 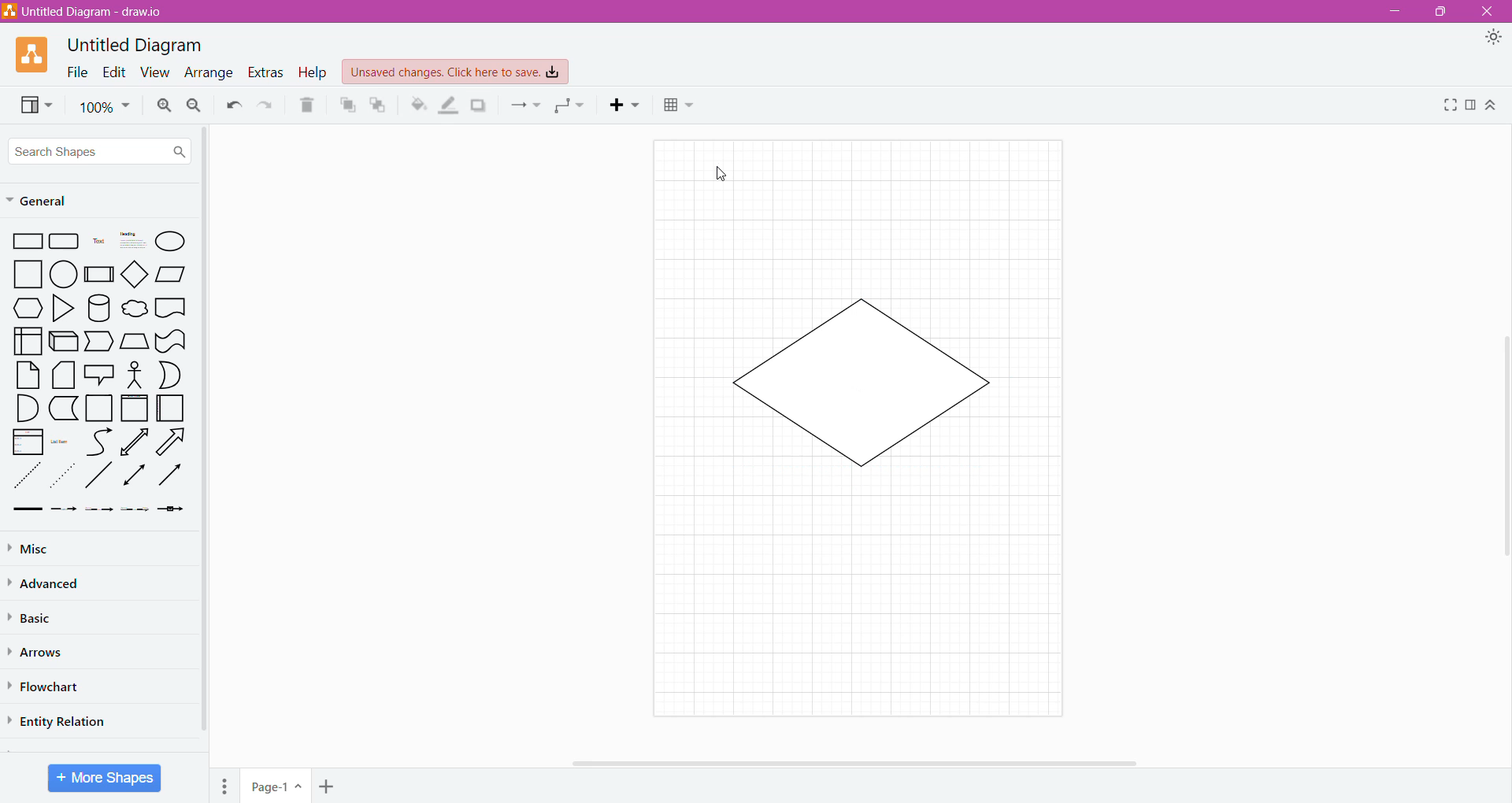 What do you see at coordinates (134, 310) in the screenshot?
I see `Thought Bubble` at bounding box center [134, 310].